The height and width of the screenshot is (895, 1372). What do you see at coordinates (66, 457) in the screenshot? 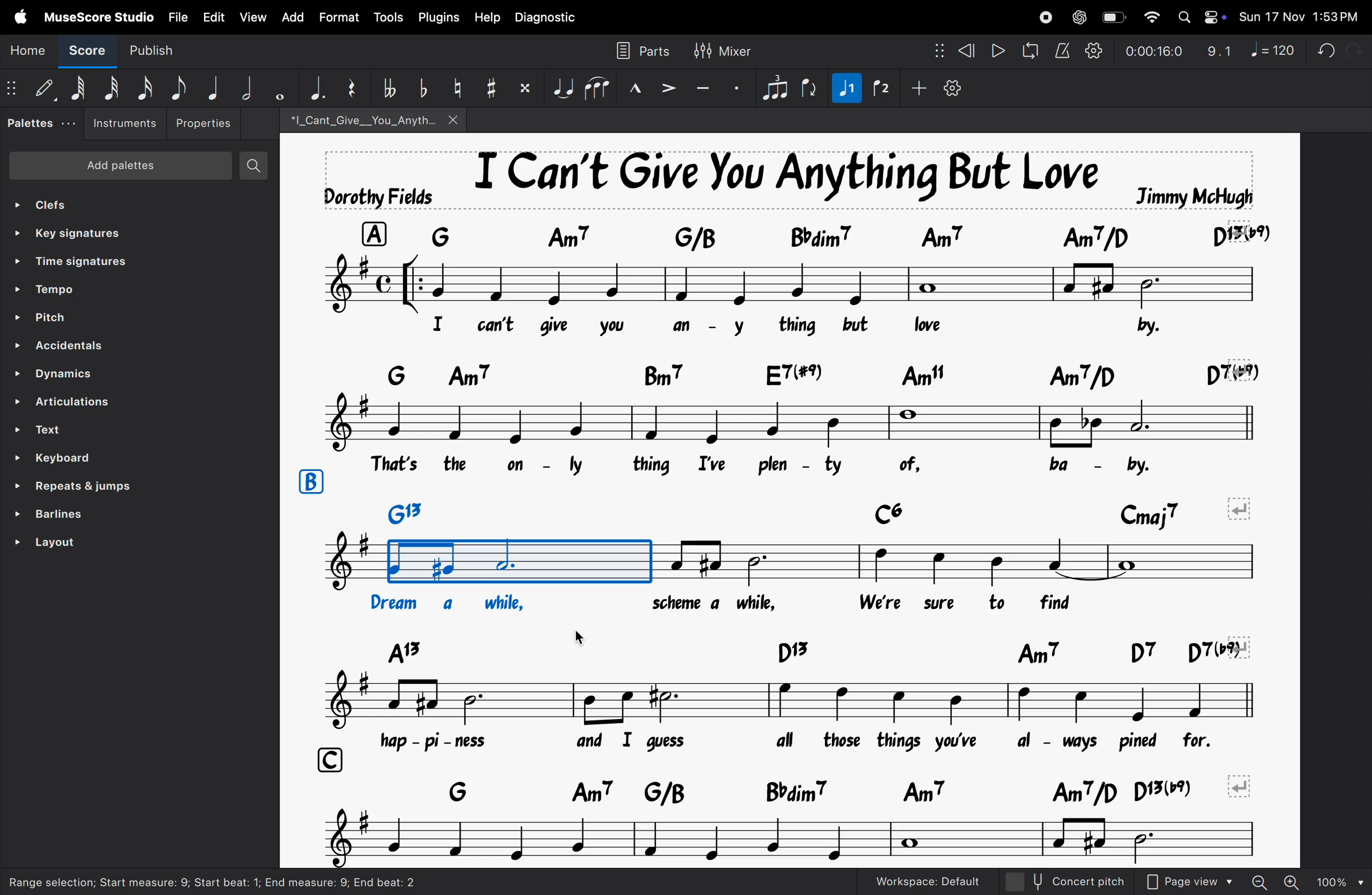
I see `keyboard` at bounding box center [66, 457].